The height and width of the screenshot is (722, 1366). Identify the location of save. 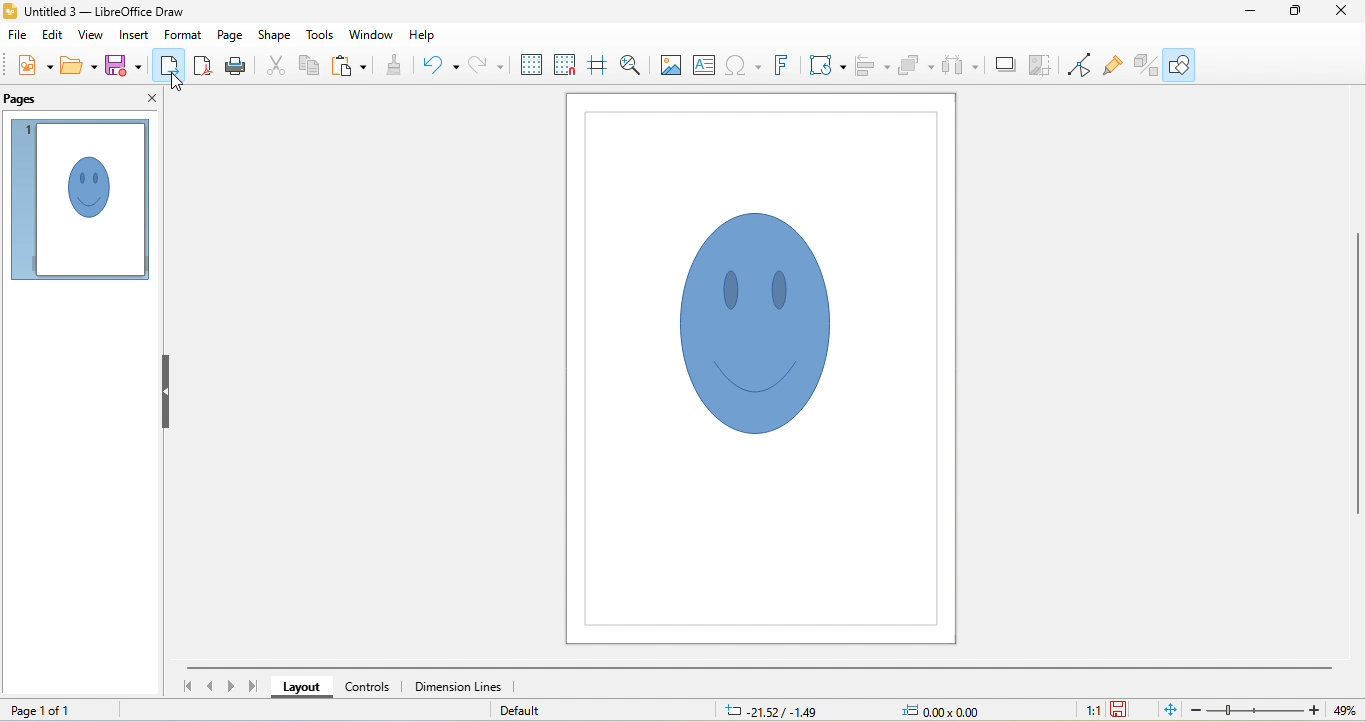
(1121, 709).